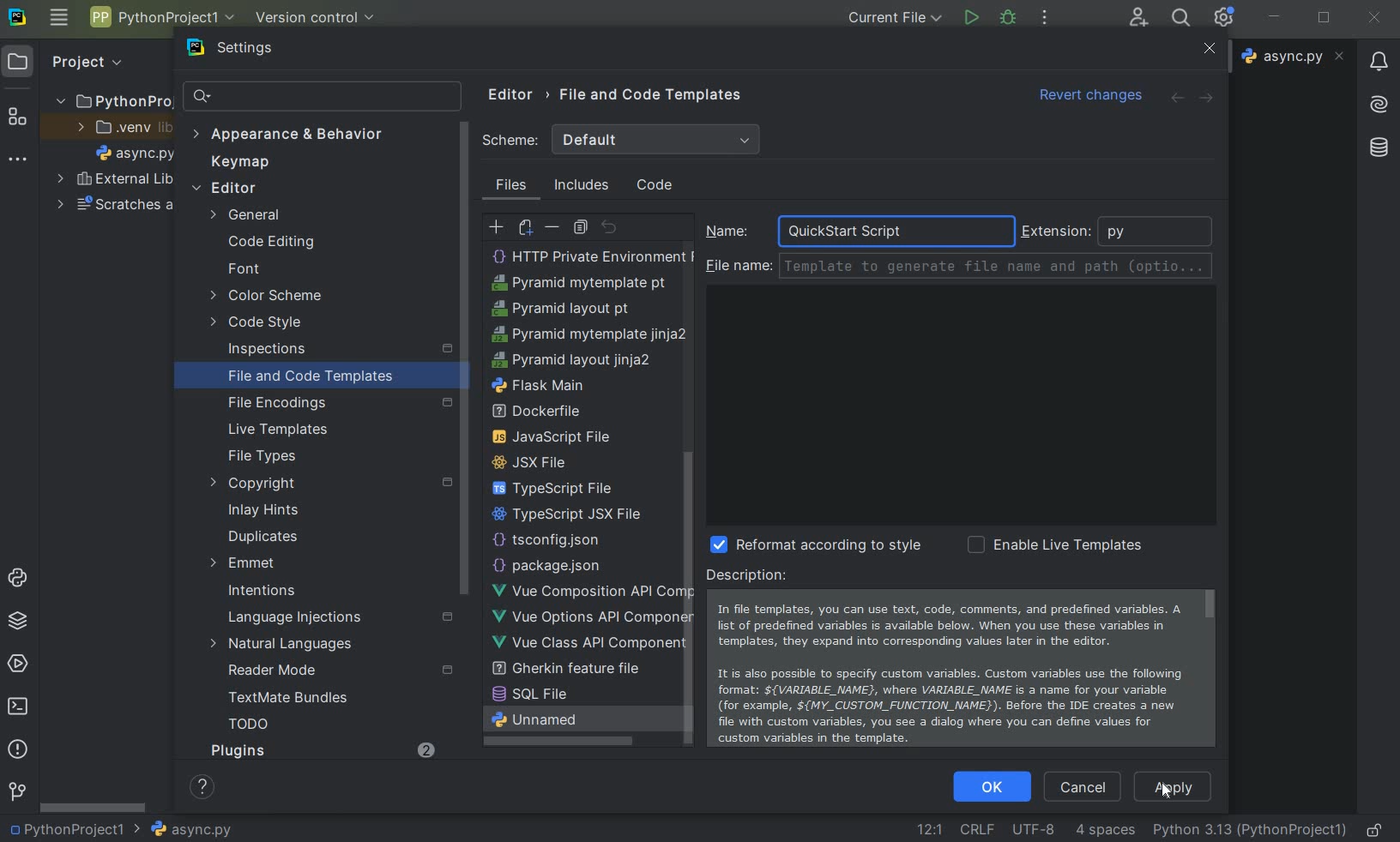 This screenshot has height=842, width=1400. I want to click on TextMate Bundles, so click(305, 698).